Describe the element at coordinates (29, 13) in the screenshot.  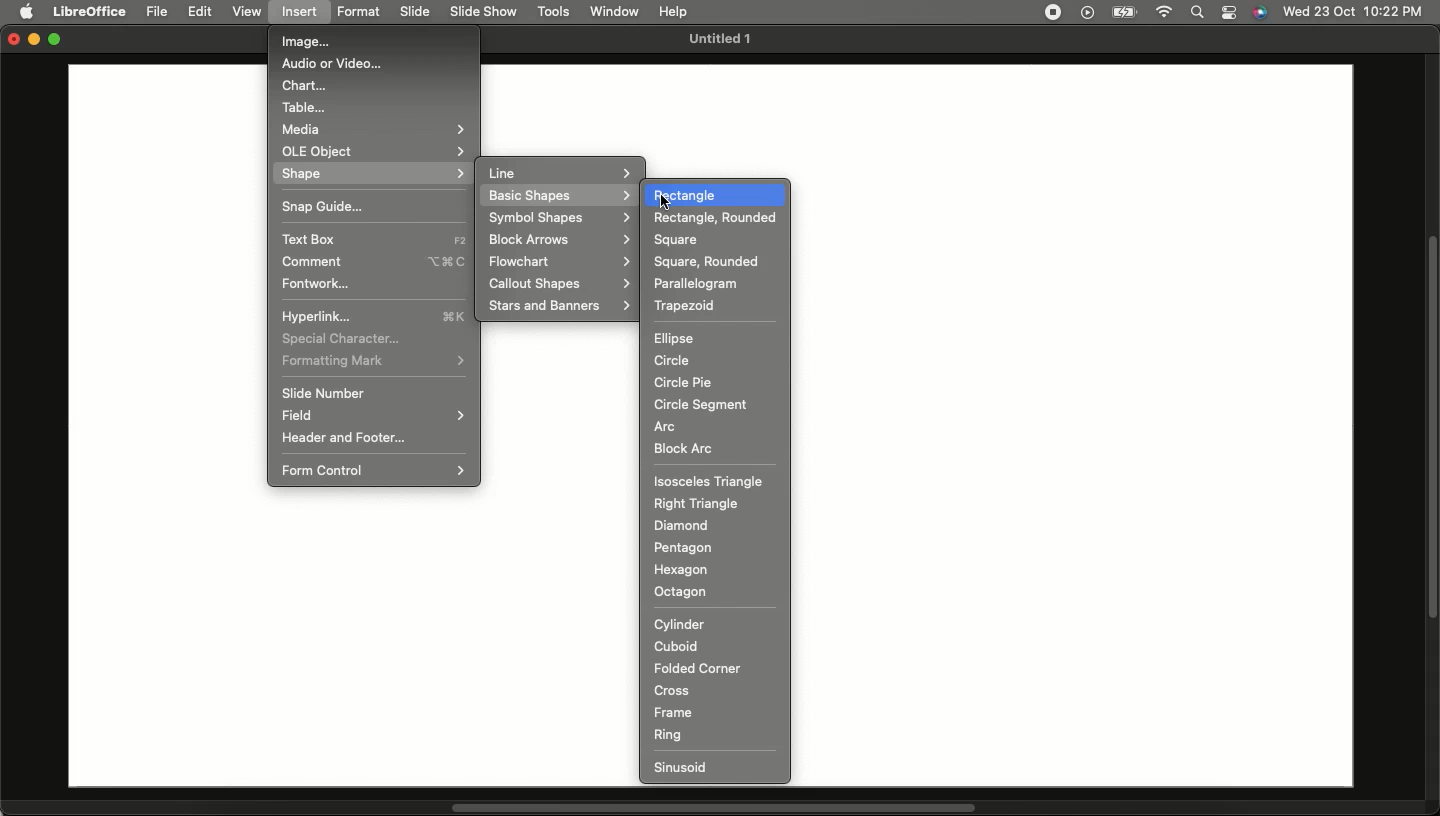
I see `Apple logo` at that location.